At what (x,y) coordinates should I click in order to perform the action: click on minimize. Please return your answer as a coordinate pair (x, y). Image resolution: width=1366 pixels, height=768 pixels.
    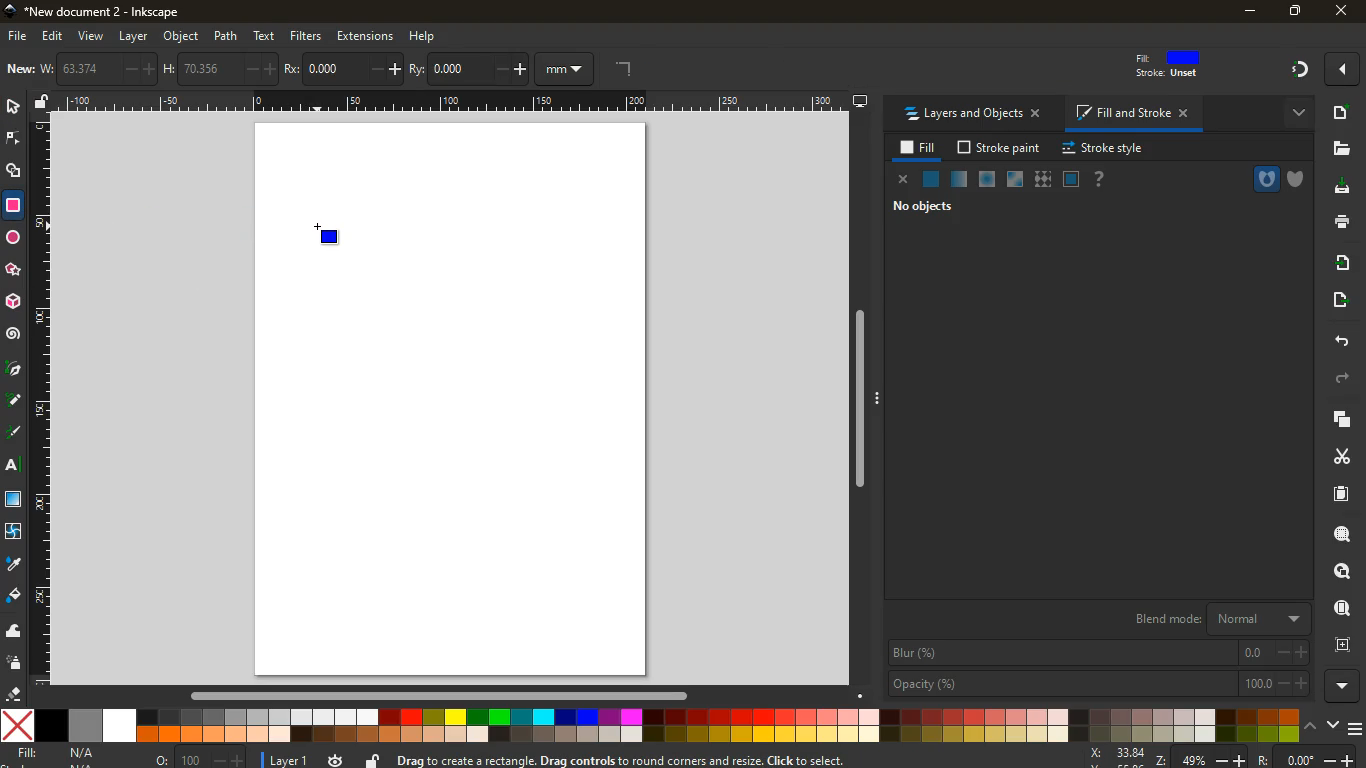
    Looking at the image, I should click on (1248, 12).